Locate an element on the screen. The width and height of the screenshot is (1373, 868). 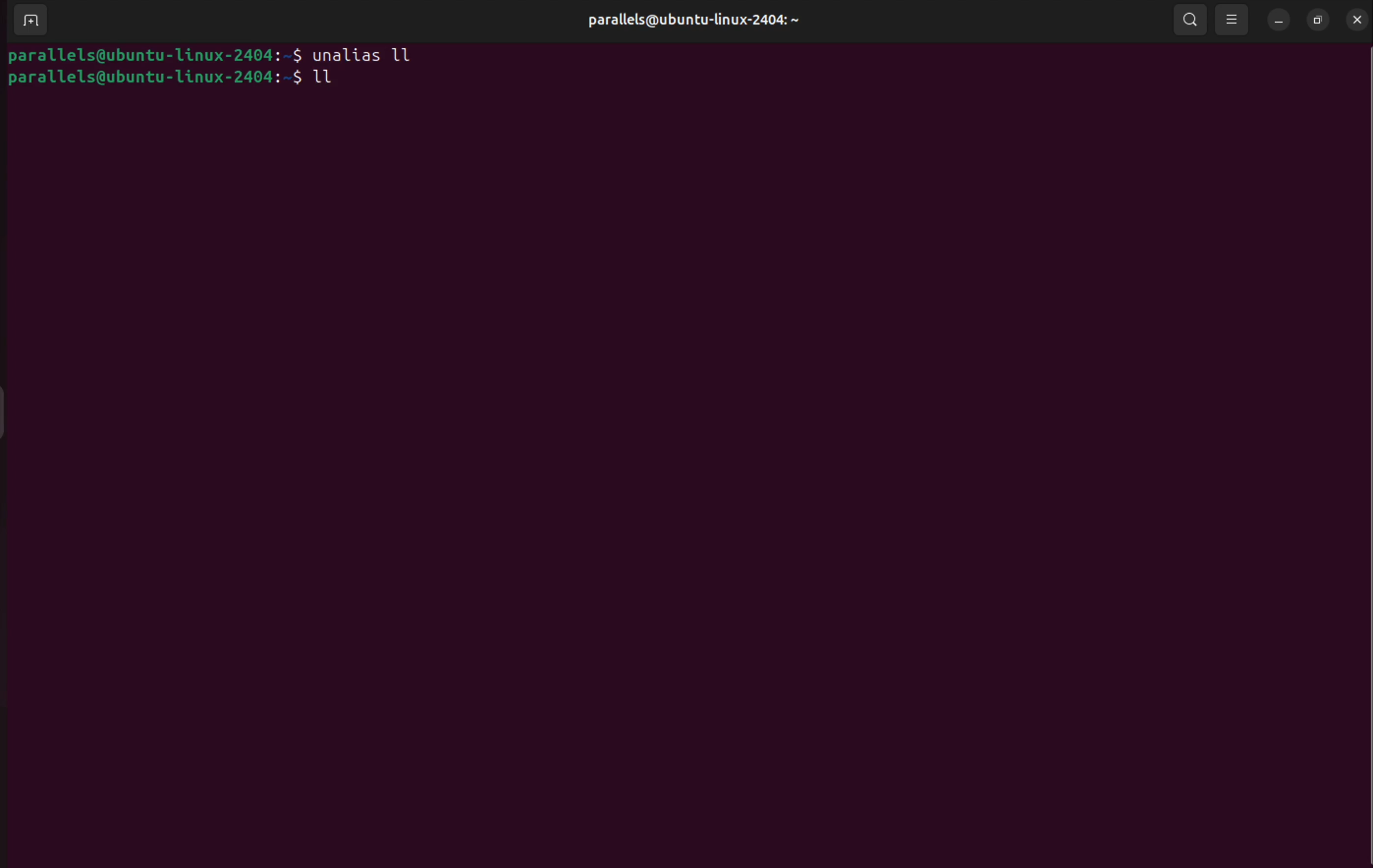
unalias ll is located at coordinates (363, 55).